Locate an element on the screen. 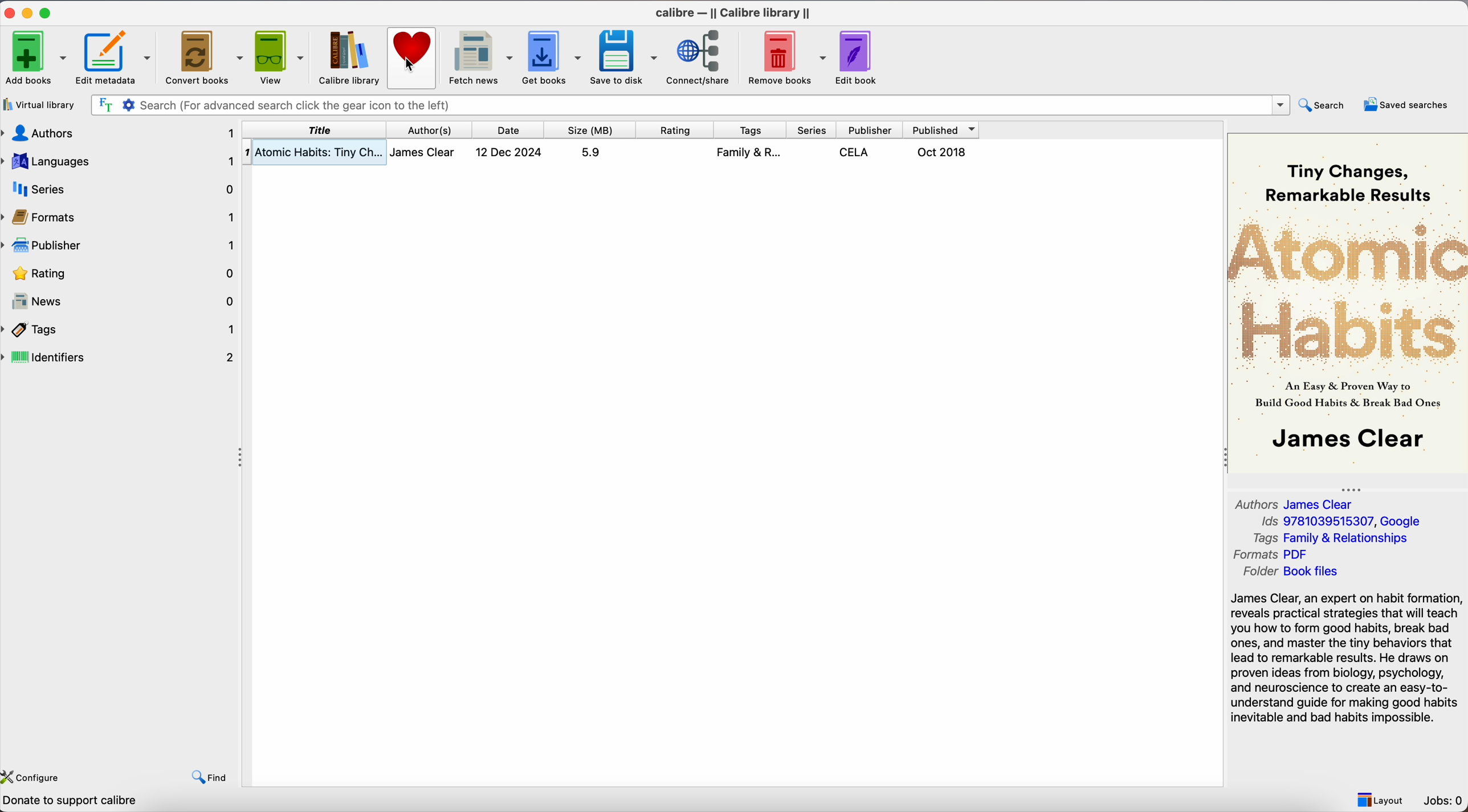 The image size is (1468, 812). formats is located at coordinates (120, 217).